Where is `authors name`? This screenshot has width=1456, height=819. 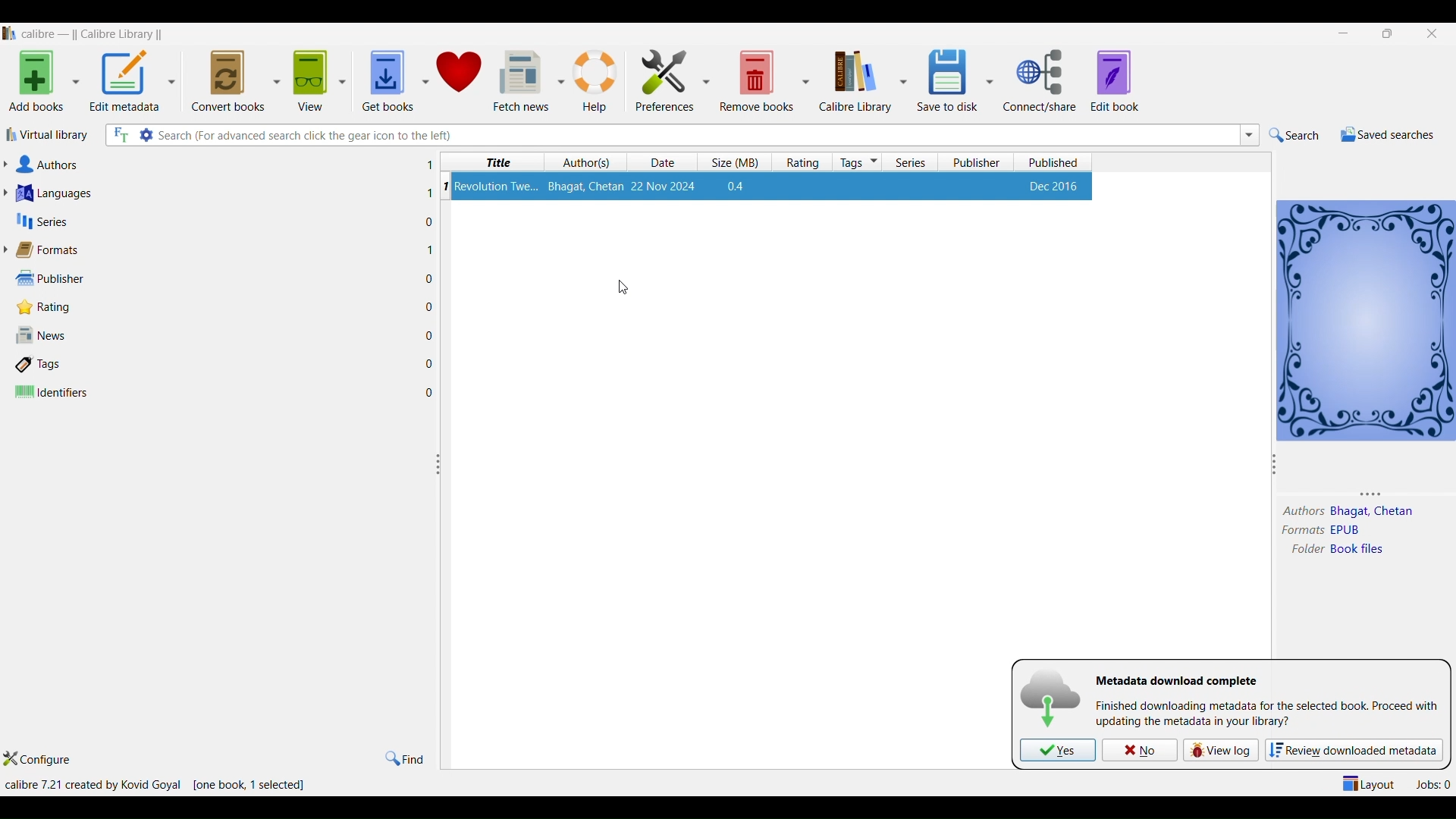
authors name is located at coordinates (1373, 510).